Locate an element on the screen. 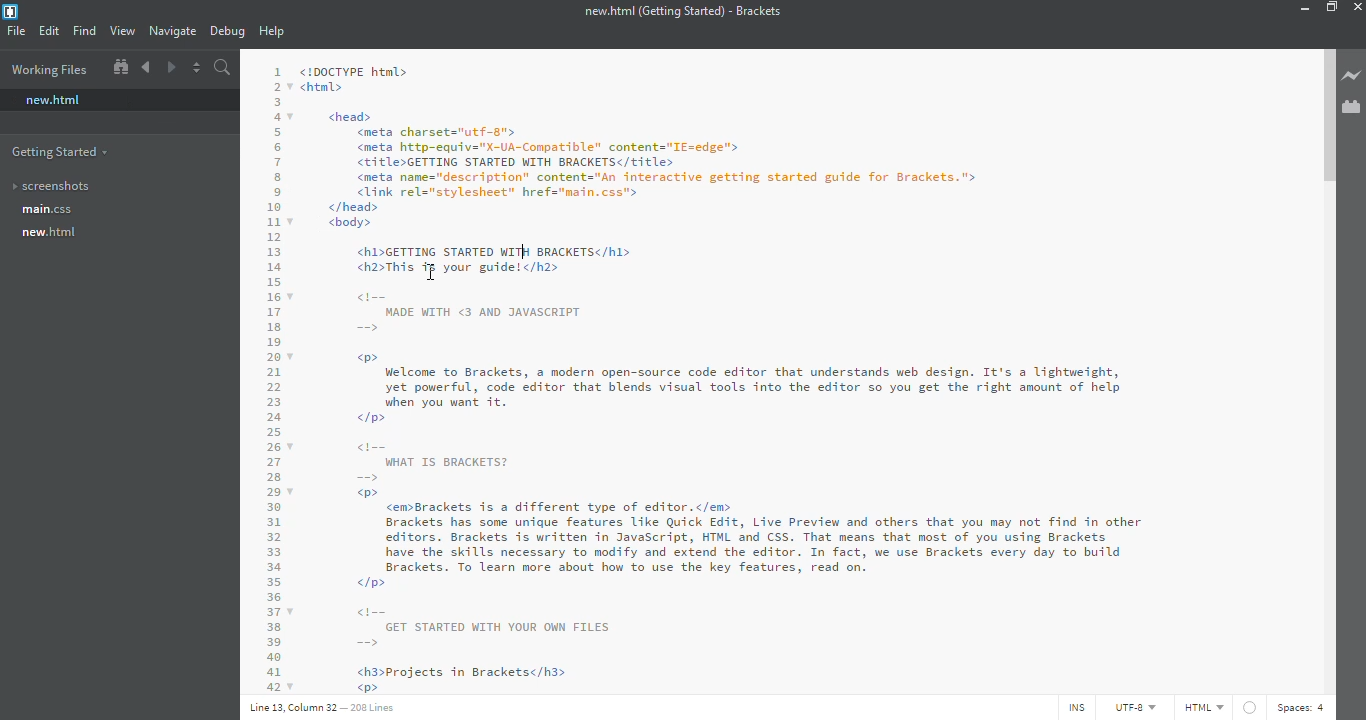 Image resolution: width=1366 pixels, height=720 pixels. line 13, column 31- 208 lines is located at coordinates (327, 710).